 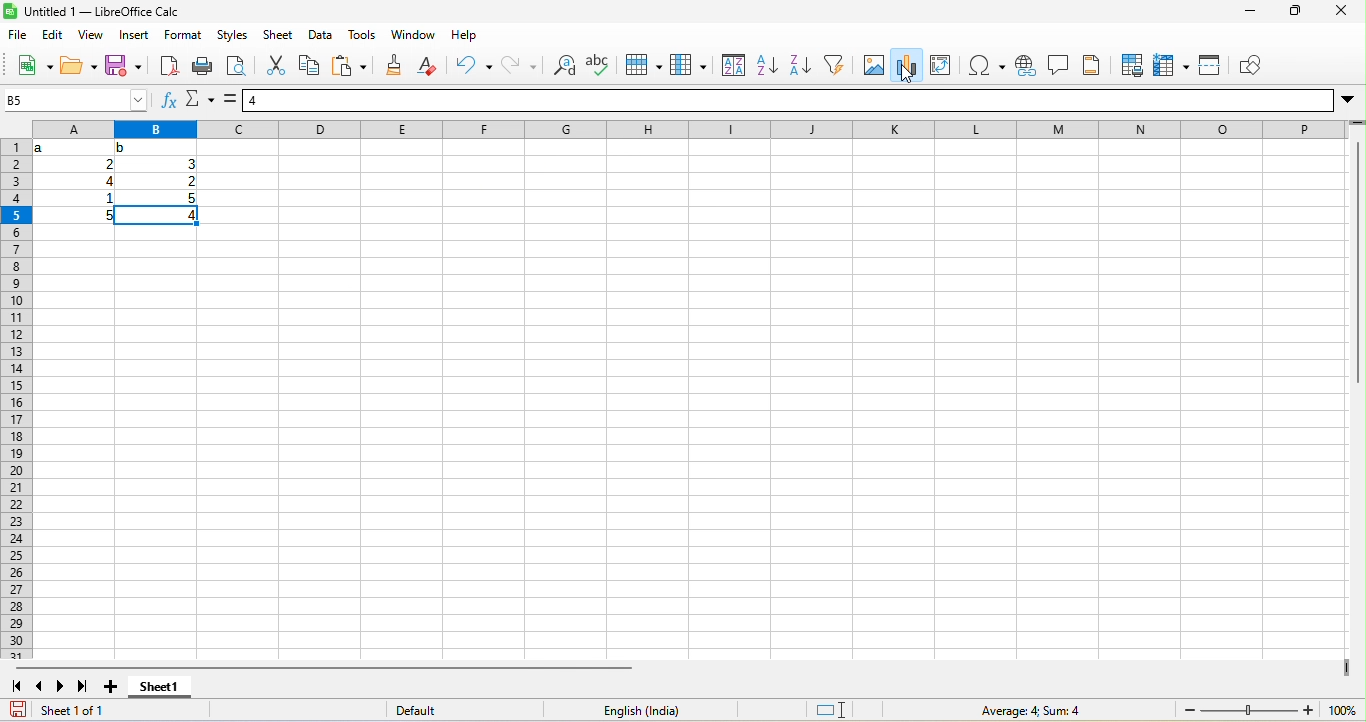 What do you see at coordinates (1171, 67) in the screenshot?
I see `freeze row and column` at bounding box center [1171, 67].